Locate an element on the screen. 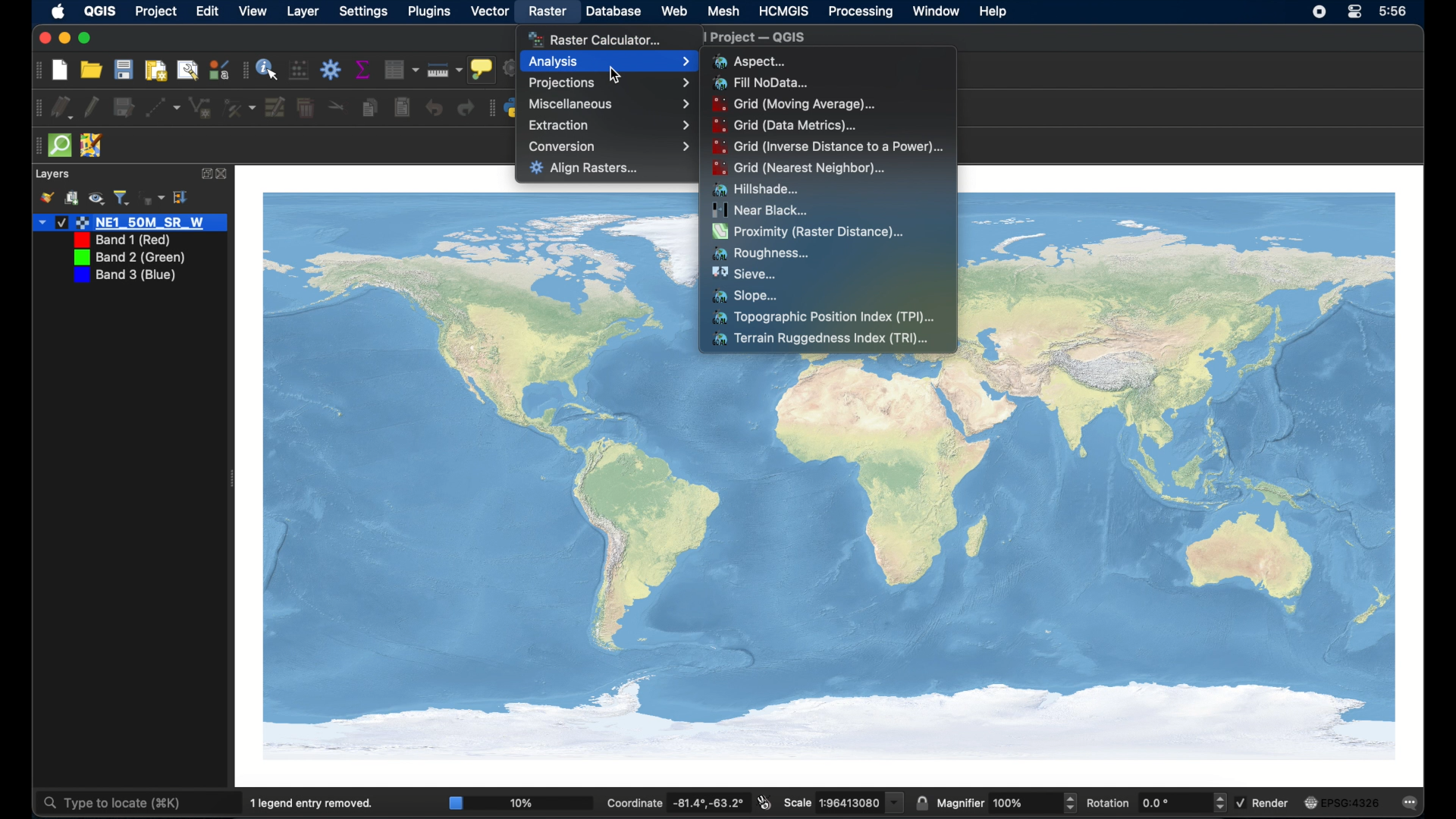 This screenshot has height=819, width=1456. filter legend is located at coordinates (122, 197).